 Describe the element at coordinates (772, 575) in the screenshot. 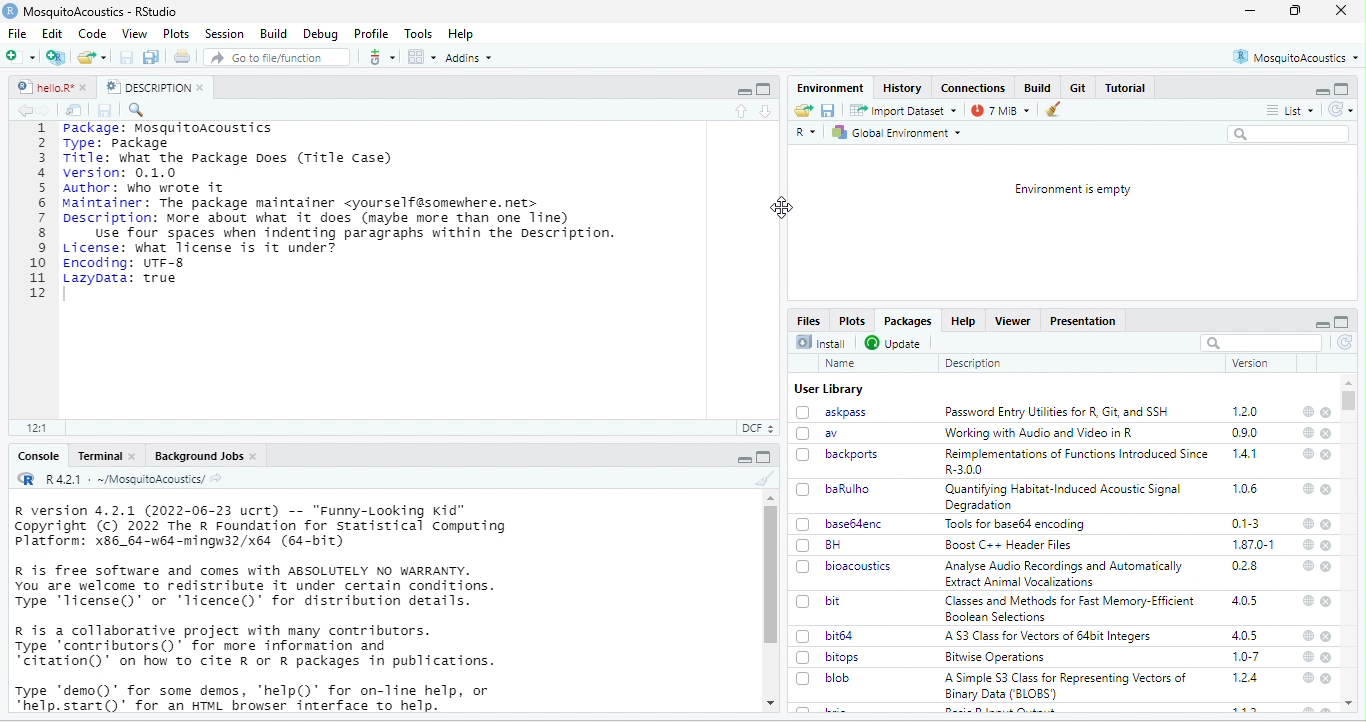

I see `scroll bar` at that location.